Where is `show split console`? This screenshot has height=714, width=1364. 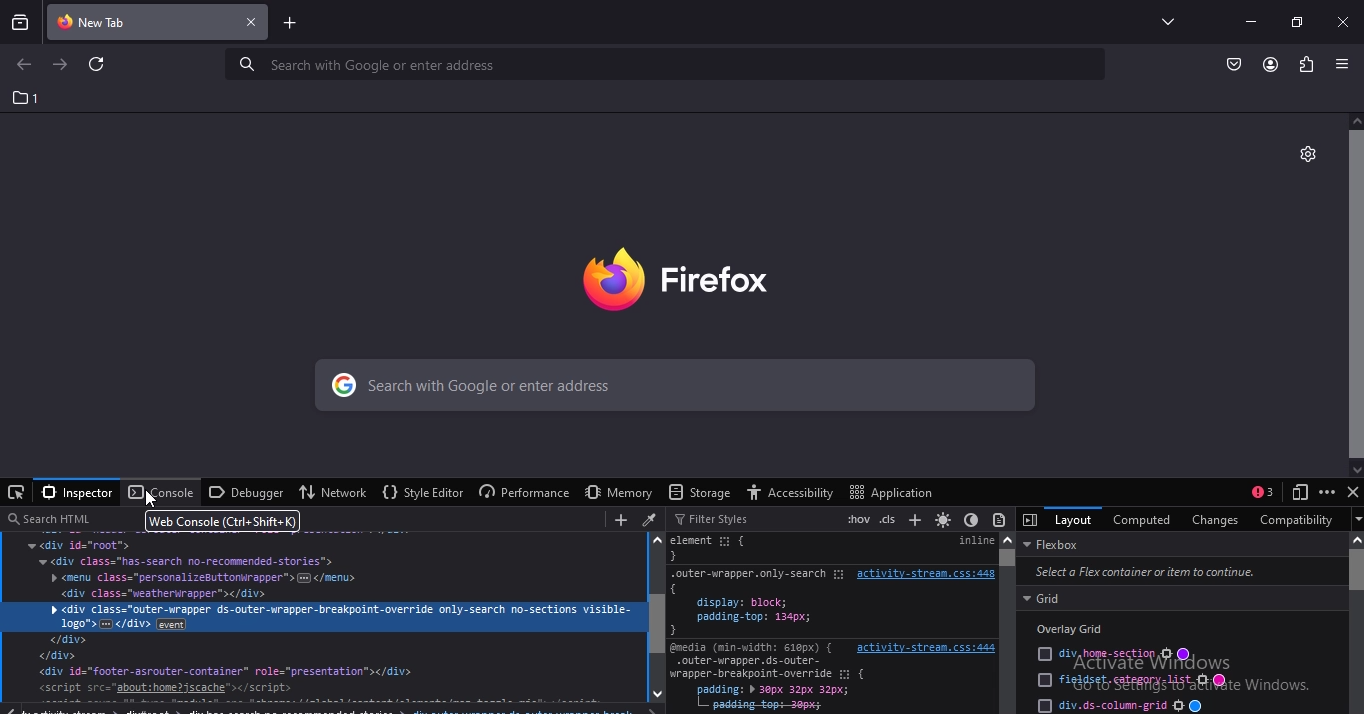 show split console is located at coordinates (1260, 491).